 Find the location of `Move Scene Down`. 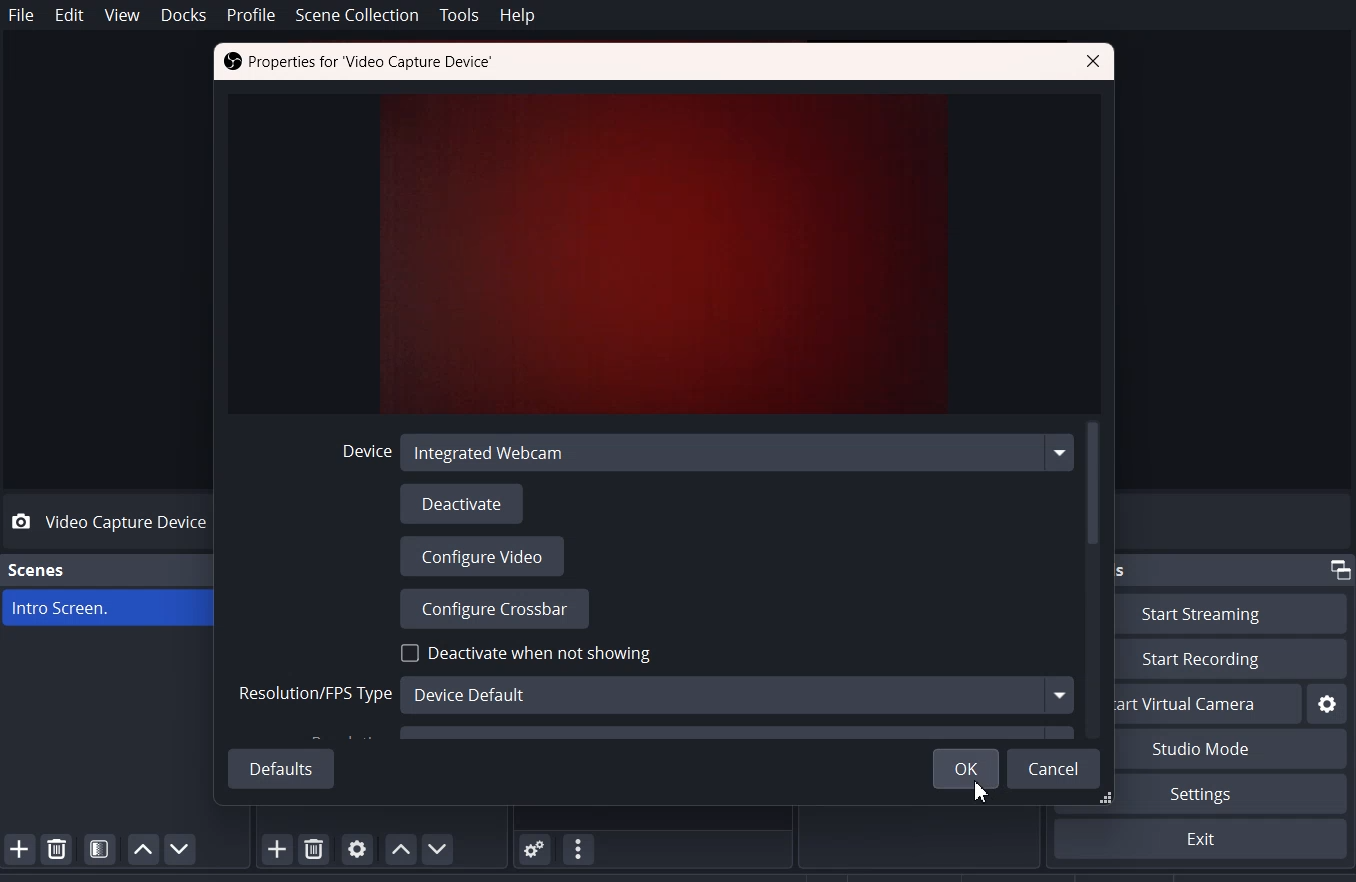

Move Scene Down is located at coordinates (181, 848).